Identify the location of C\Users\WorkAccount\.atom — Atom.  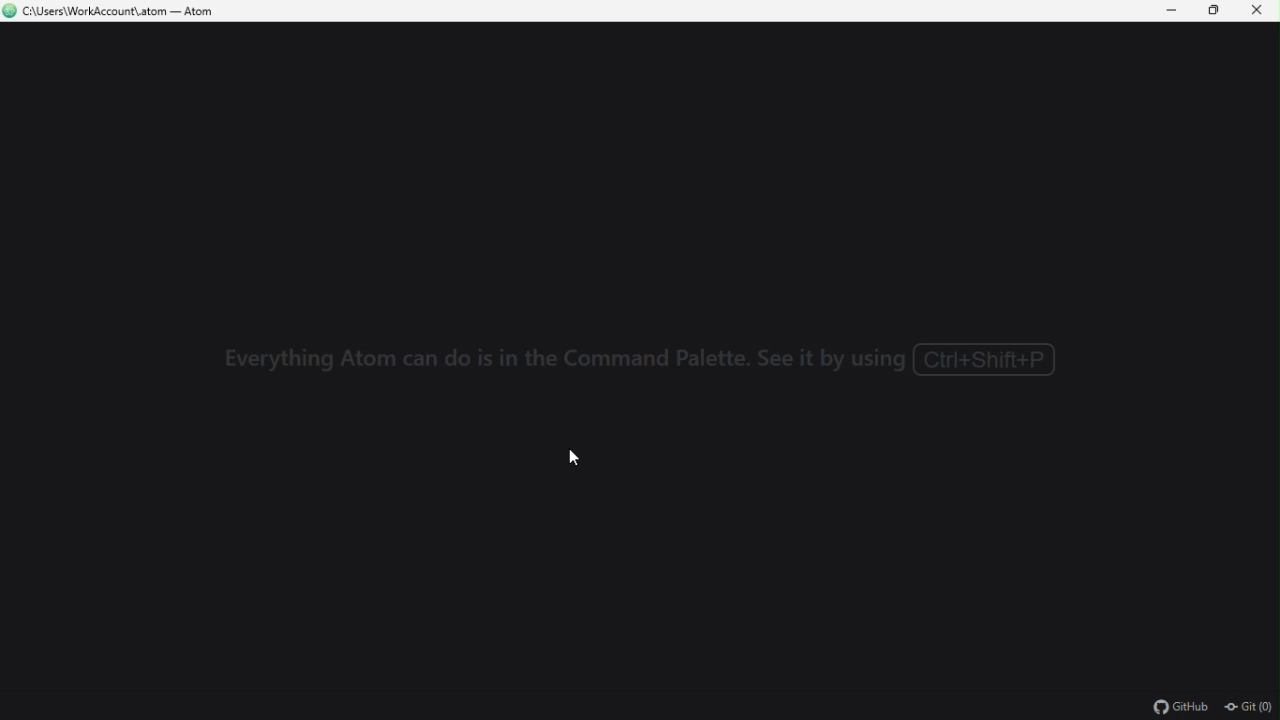
(120, 12).